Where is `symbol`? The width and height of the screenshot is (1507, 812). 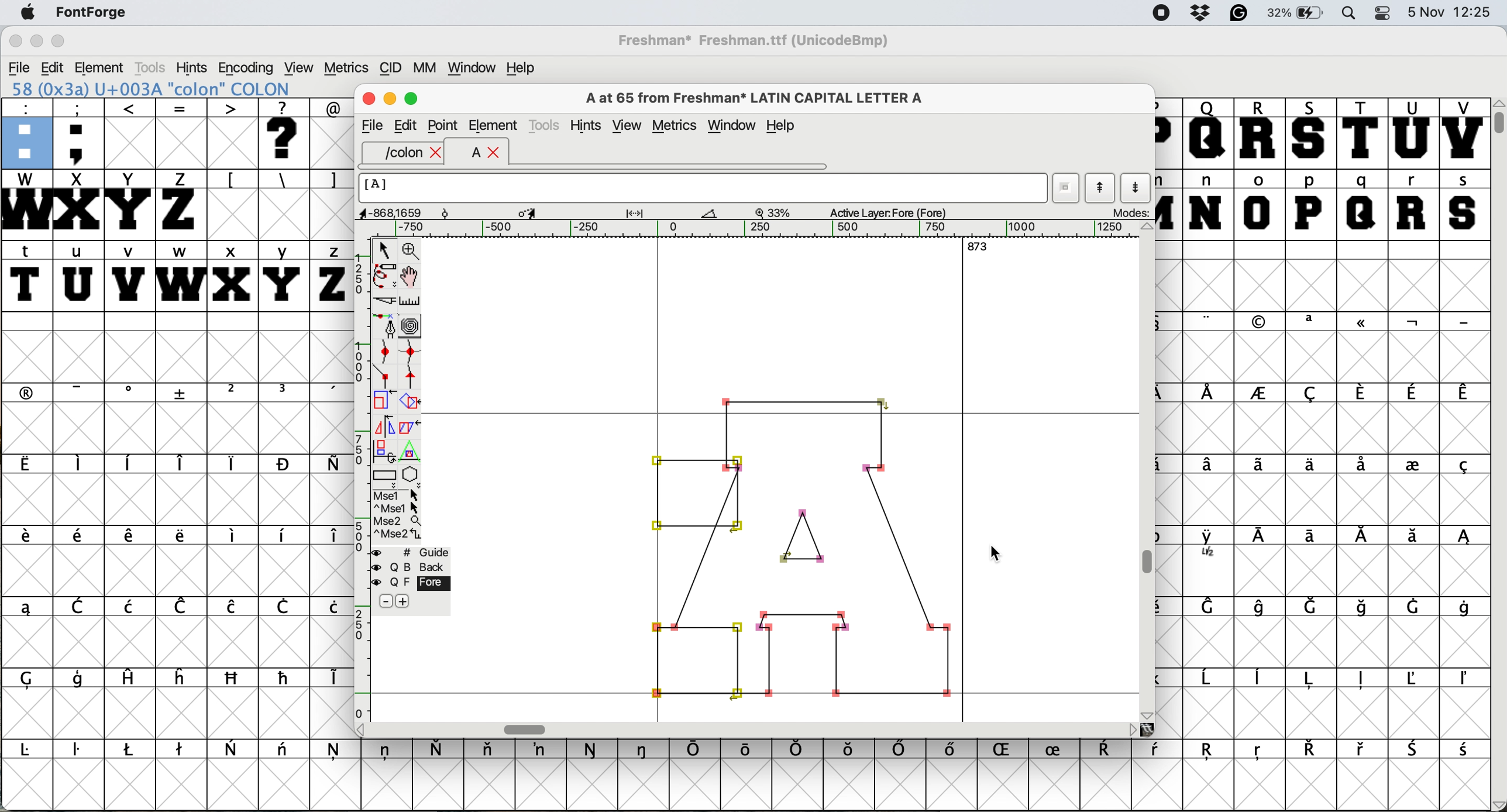
symbol is located at coordinates (1466, 680).